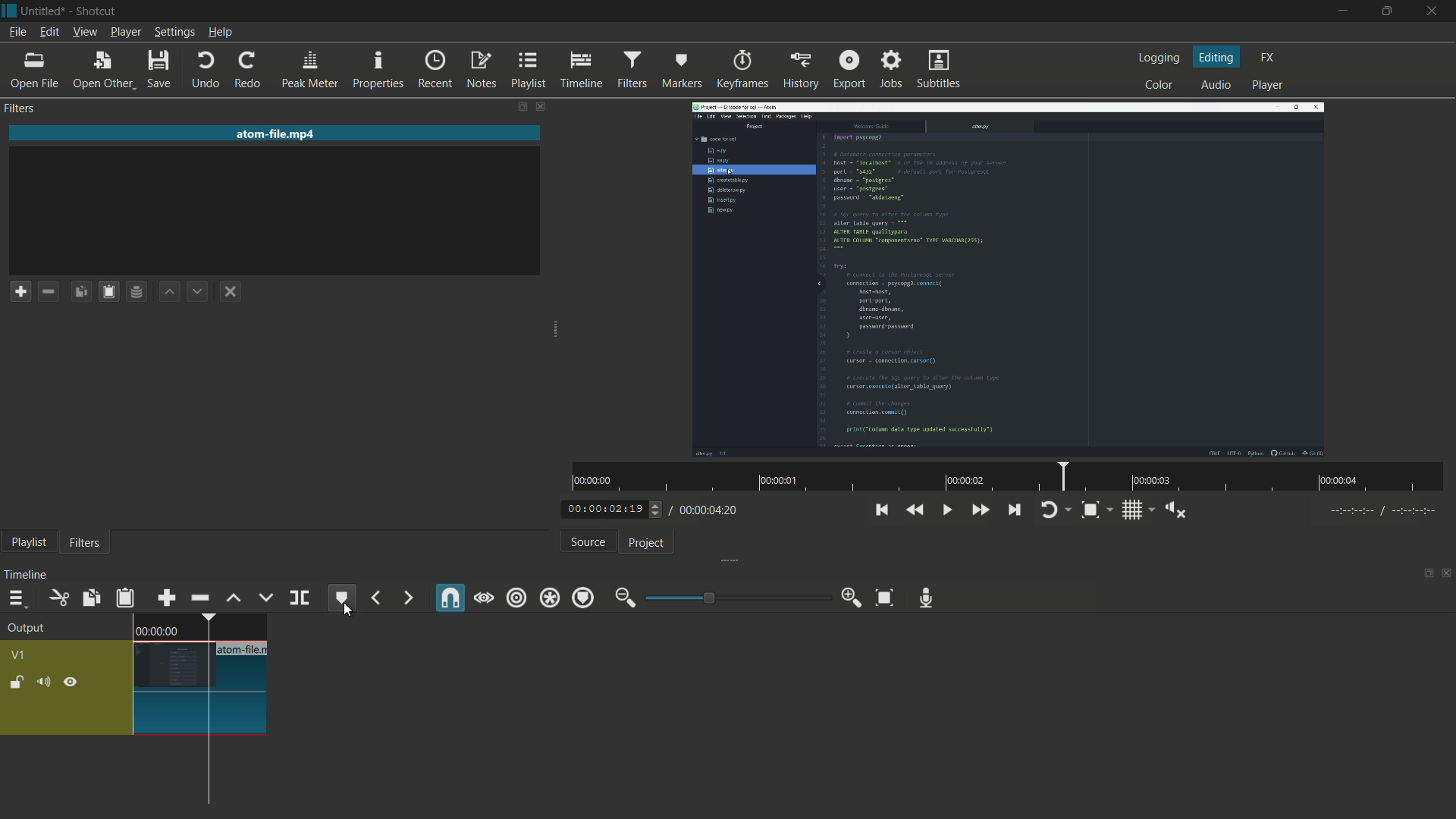 This screenshot has width=1456, height=819. Describe the element at coordinates (800, 71) in the screenshot. I see `history` at that location.